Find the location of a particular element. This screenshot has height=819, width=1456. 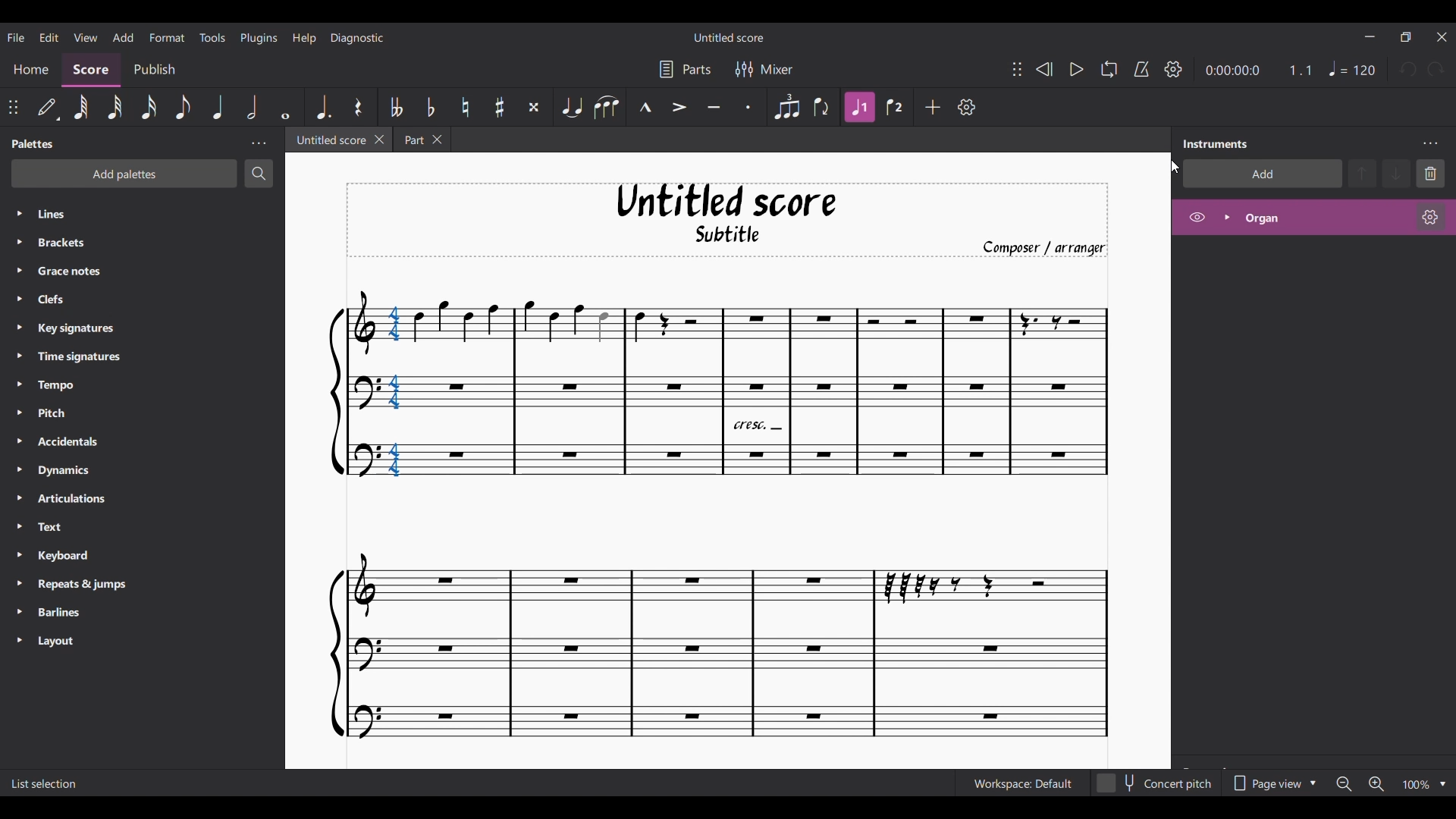

Current score is located at coordinates (720, 514).